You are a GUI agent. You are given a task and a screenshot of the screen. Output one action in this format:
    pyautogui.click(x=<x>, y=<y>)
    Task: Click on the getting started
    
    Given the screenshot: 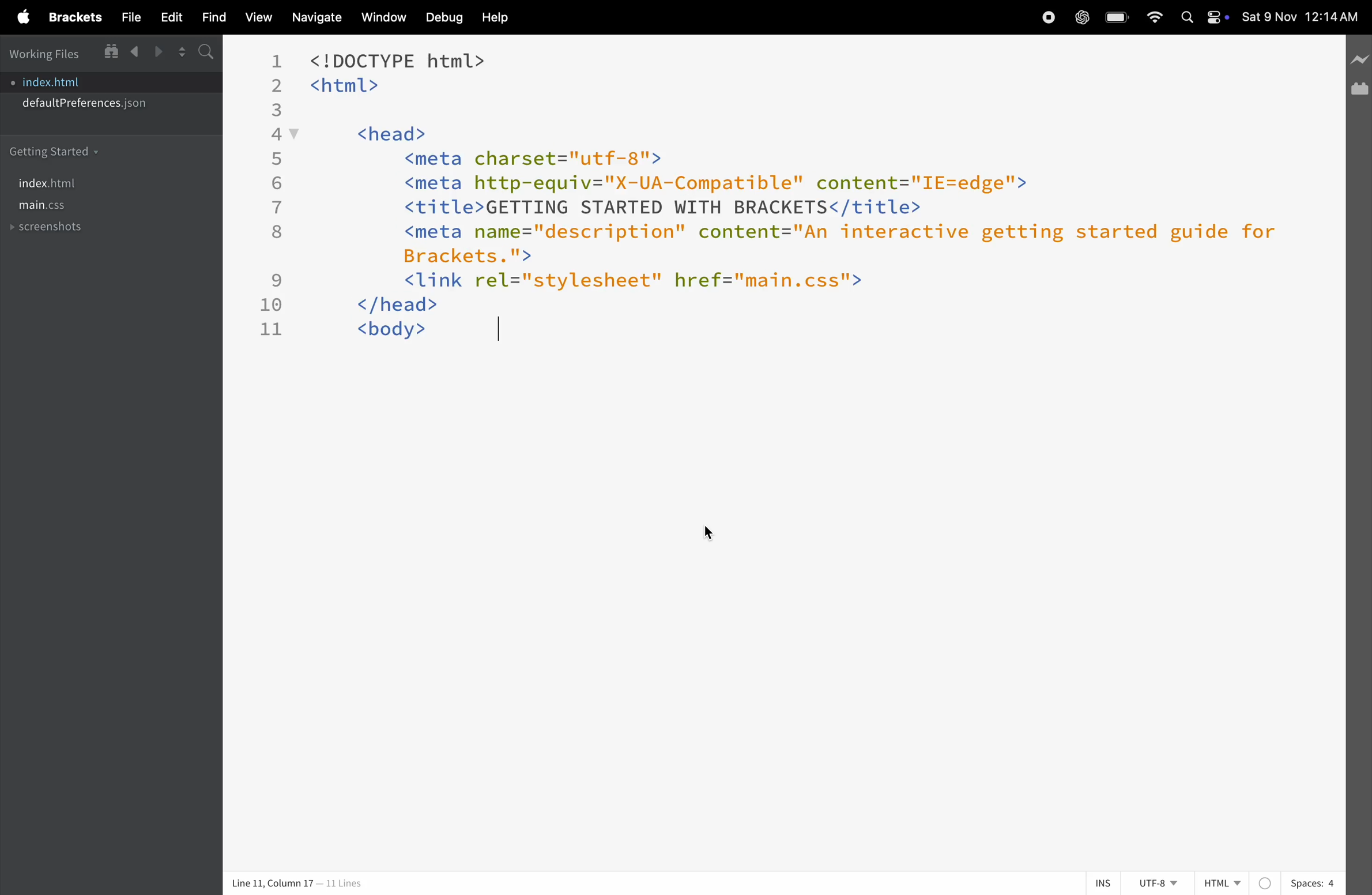 What is the action you would take?
    pyautogui.click(x=98, y=152)
    